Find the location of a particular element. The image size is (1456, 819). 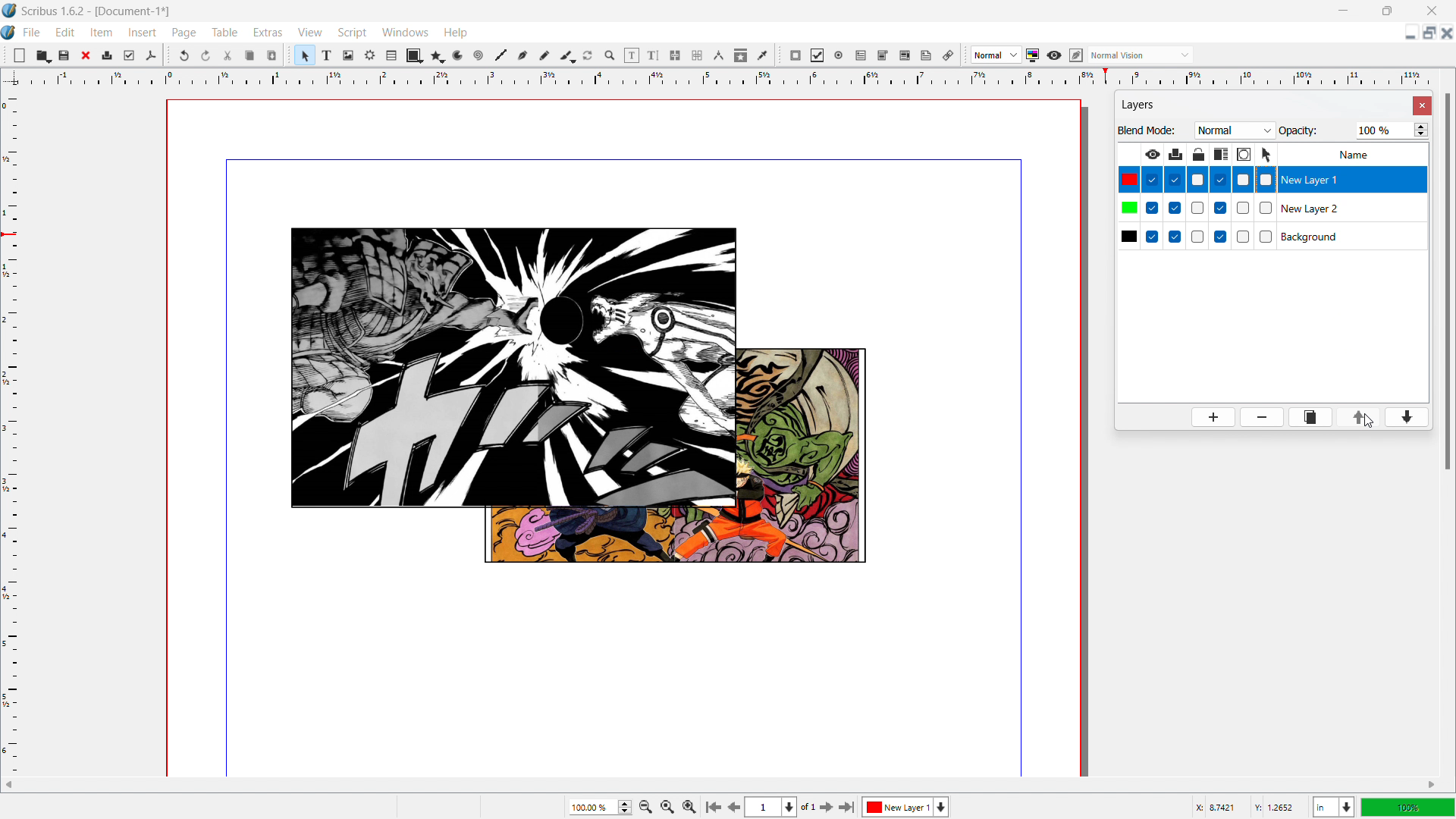

go to next page is located at coordinates (826, 807).